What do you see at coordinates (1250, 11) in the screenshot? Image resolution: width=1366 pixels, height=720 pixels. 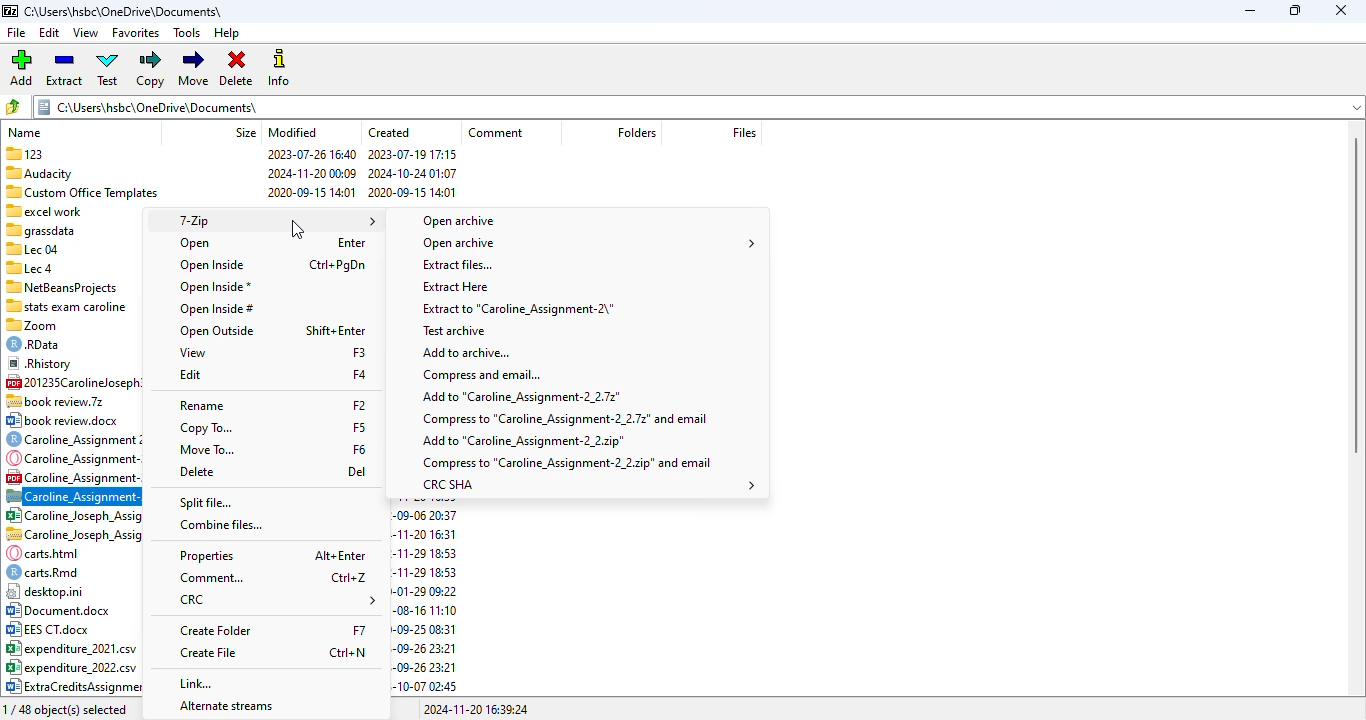 I see `minimize` at bounding box center [1250, 11].